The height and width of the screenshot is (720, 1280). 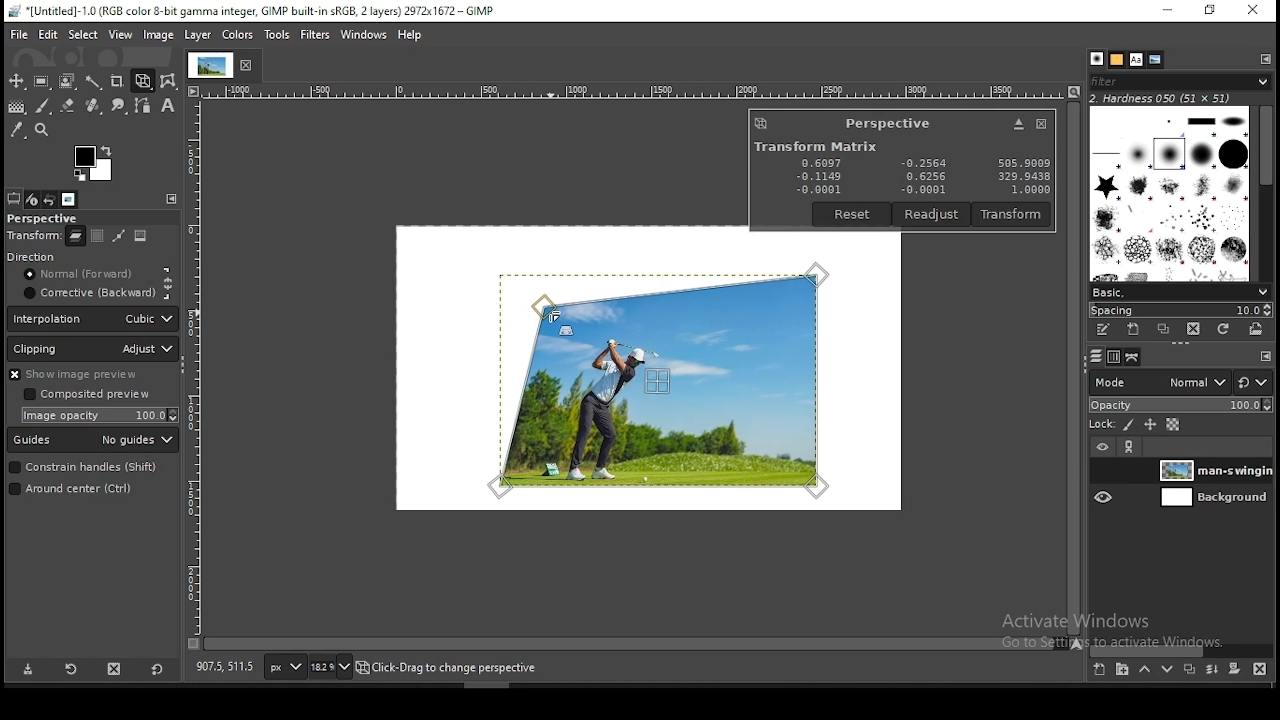 I want to click on scroll bar, so click(x=630, y=646).